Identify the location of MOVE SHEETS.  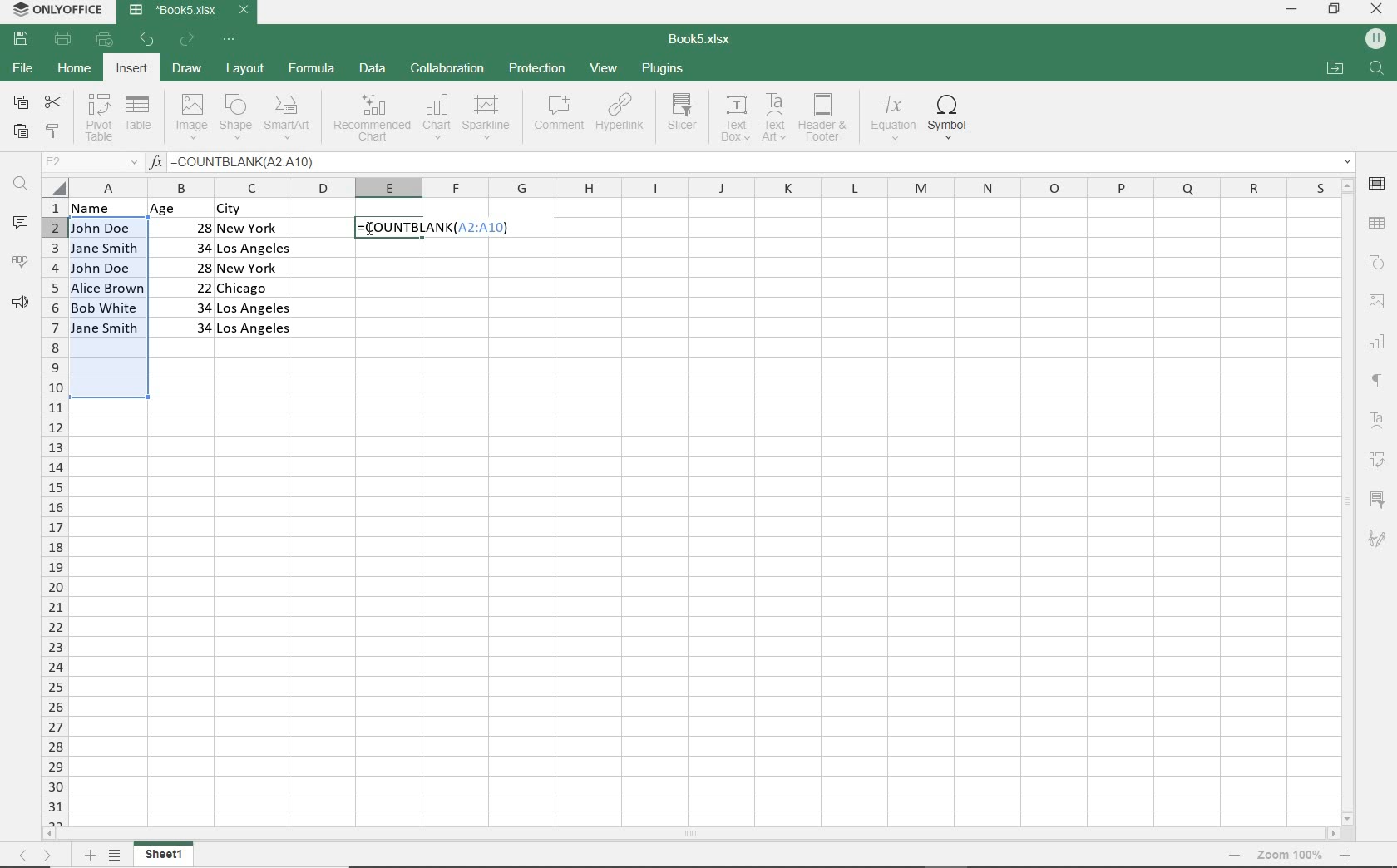
(37, 855).